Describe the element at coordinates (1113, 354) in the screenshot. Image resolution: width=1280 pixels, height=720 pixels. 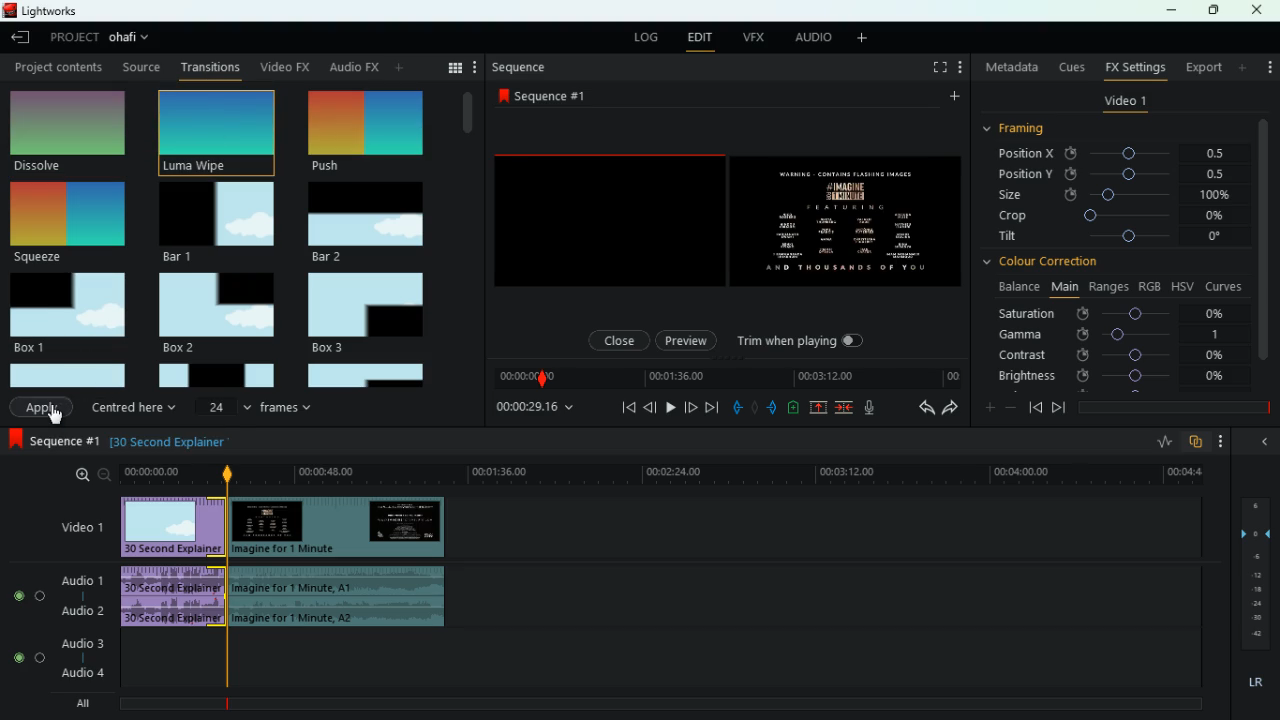
I see `contrast` at that location.